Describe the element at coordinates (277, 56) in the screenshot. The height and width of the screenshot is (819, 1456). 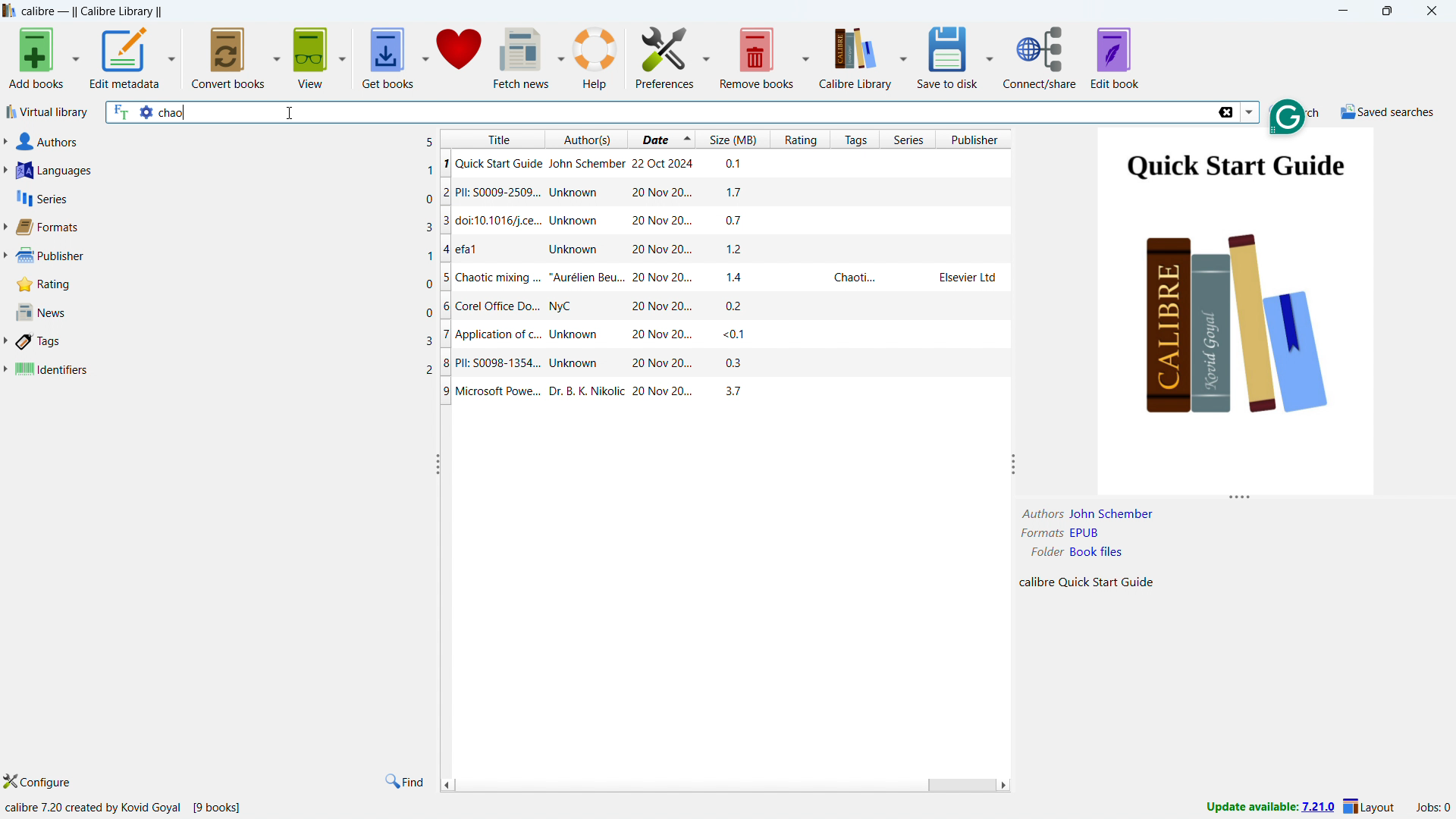
I see `convert books options` at that location.